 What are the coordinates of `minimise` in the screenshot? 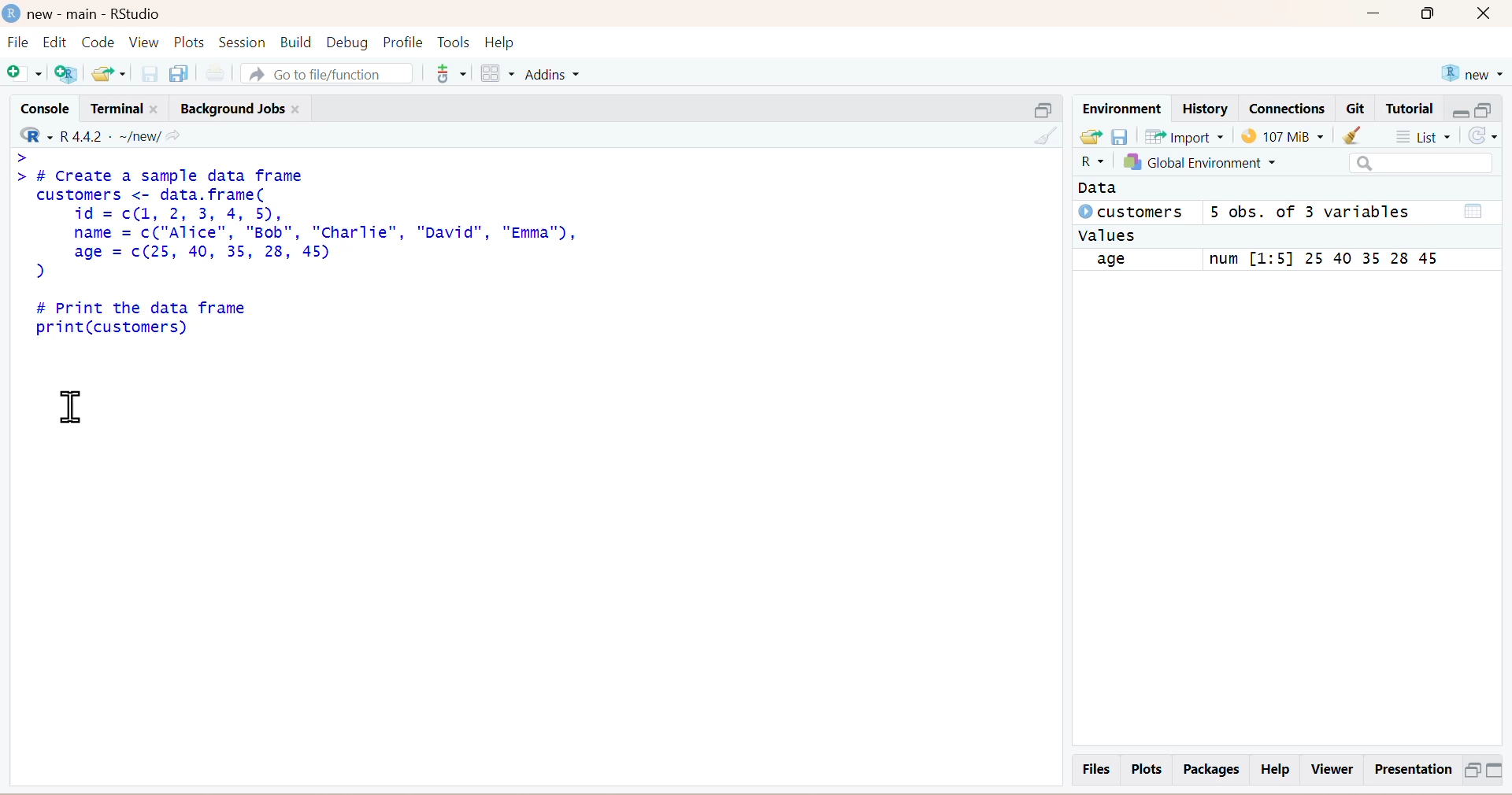 It's located at (1459, 109).